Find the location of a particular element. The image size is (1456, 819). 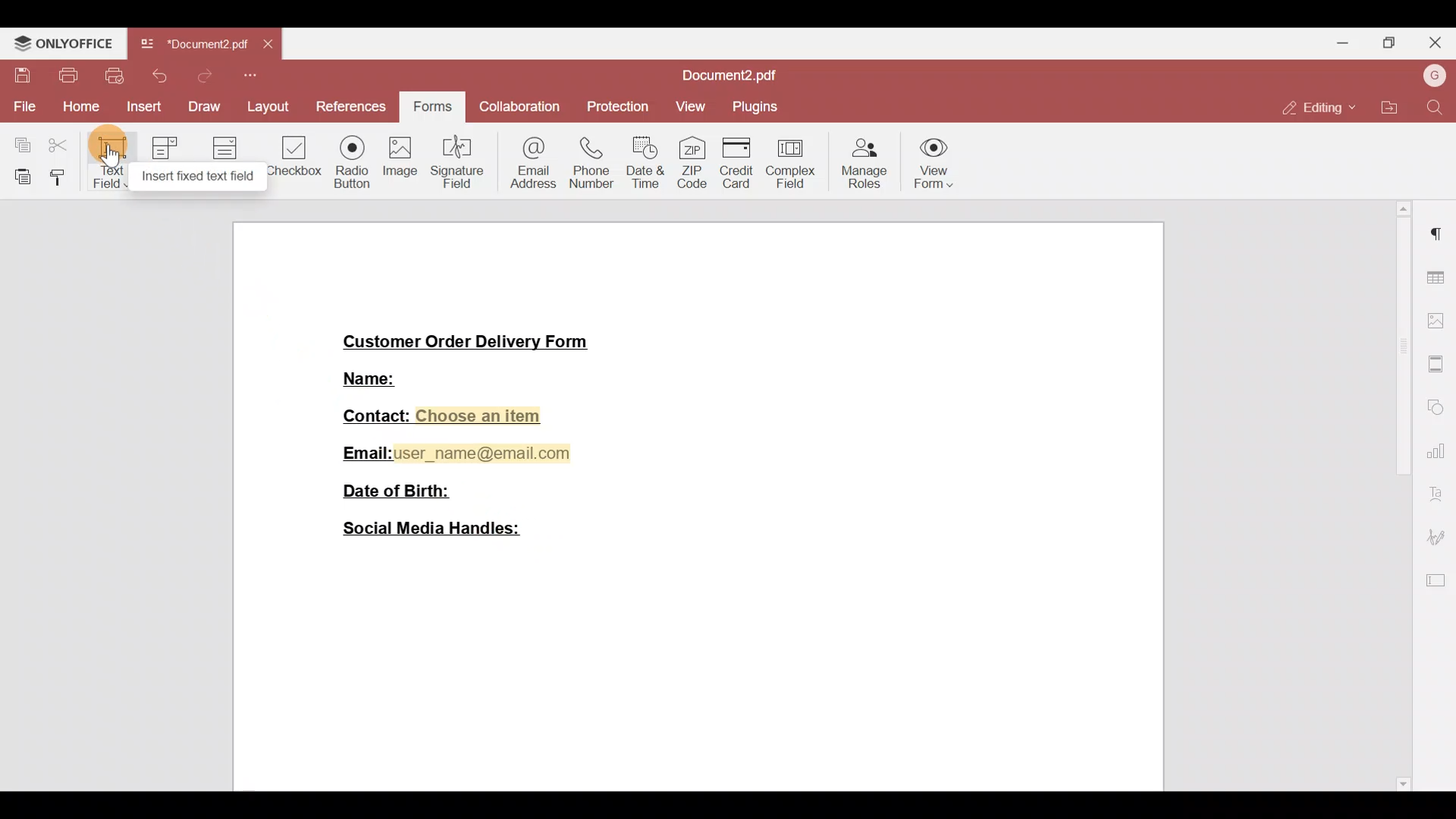

Editing mode is located at coordinates (1316, 108).